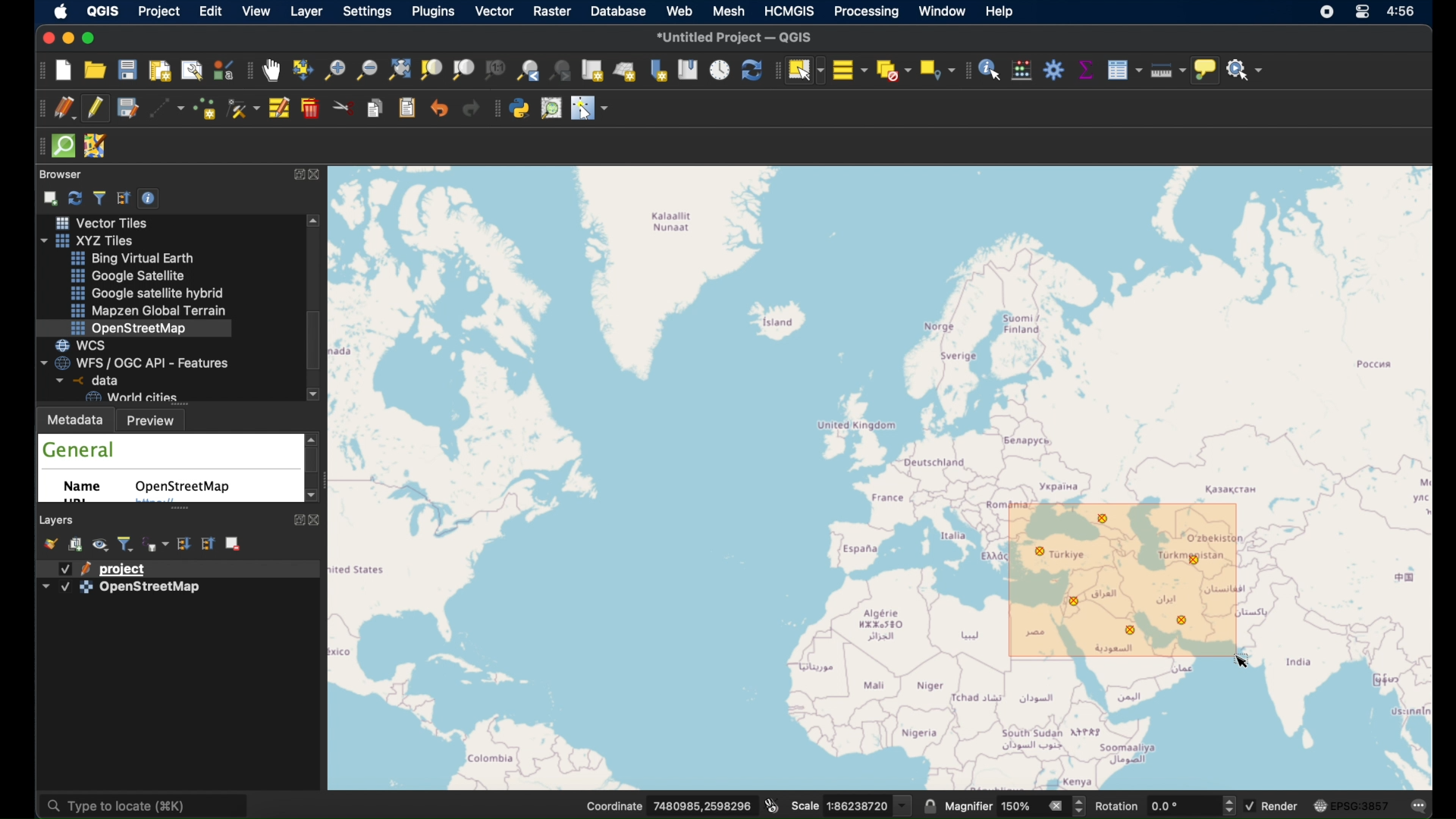 This screenshot has height=819, width=1456. Describe the element at coordinates (306, 12) in the screenshot. I see `layer` at that location.